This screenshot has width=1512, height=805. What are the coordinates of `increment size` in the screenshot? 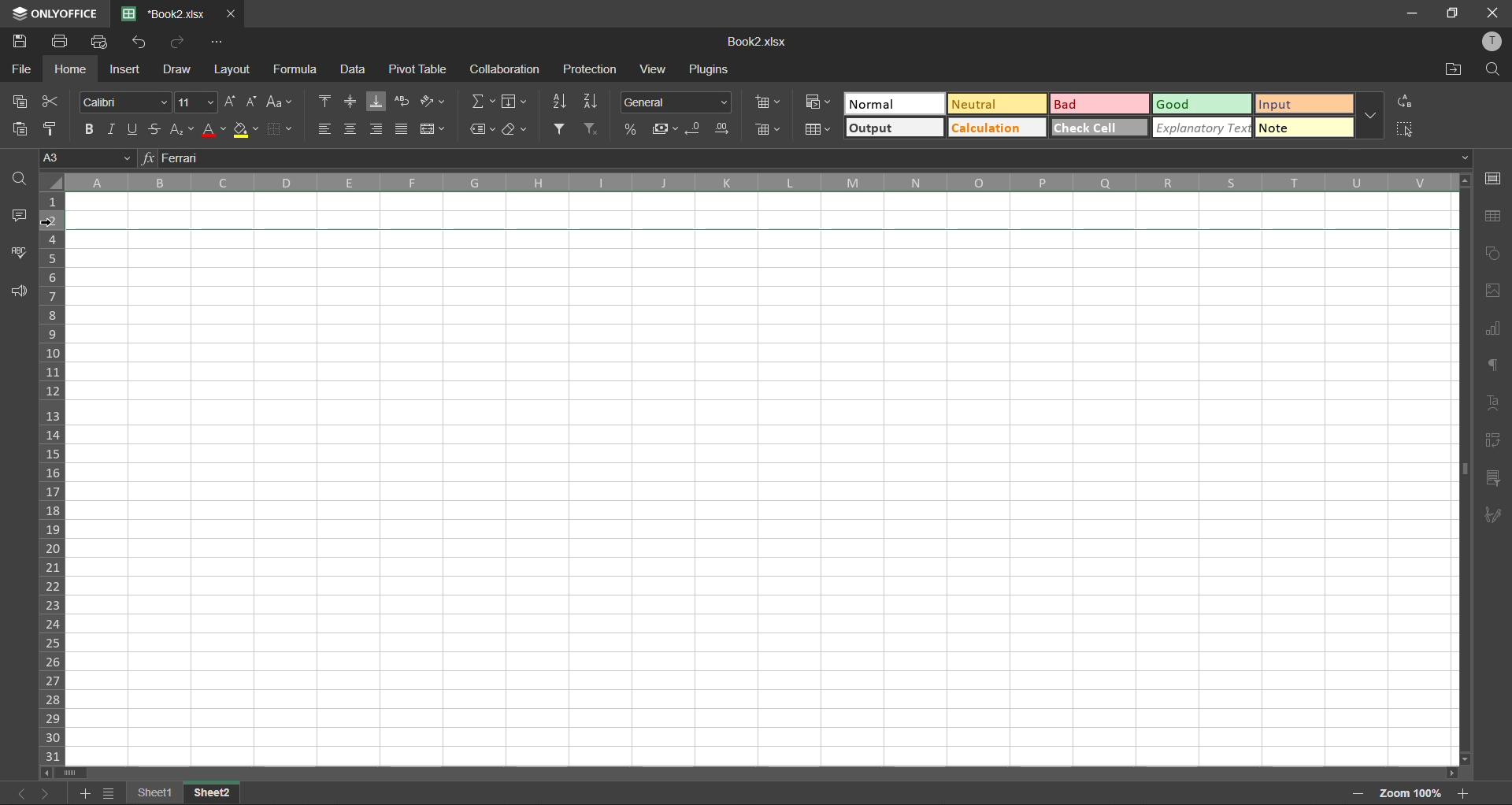 It's located at (231, 102).